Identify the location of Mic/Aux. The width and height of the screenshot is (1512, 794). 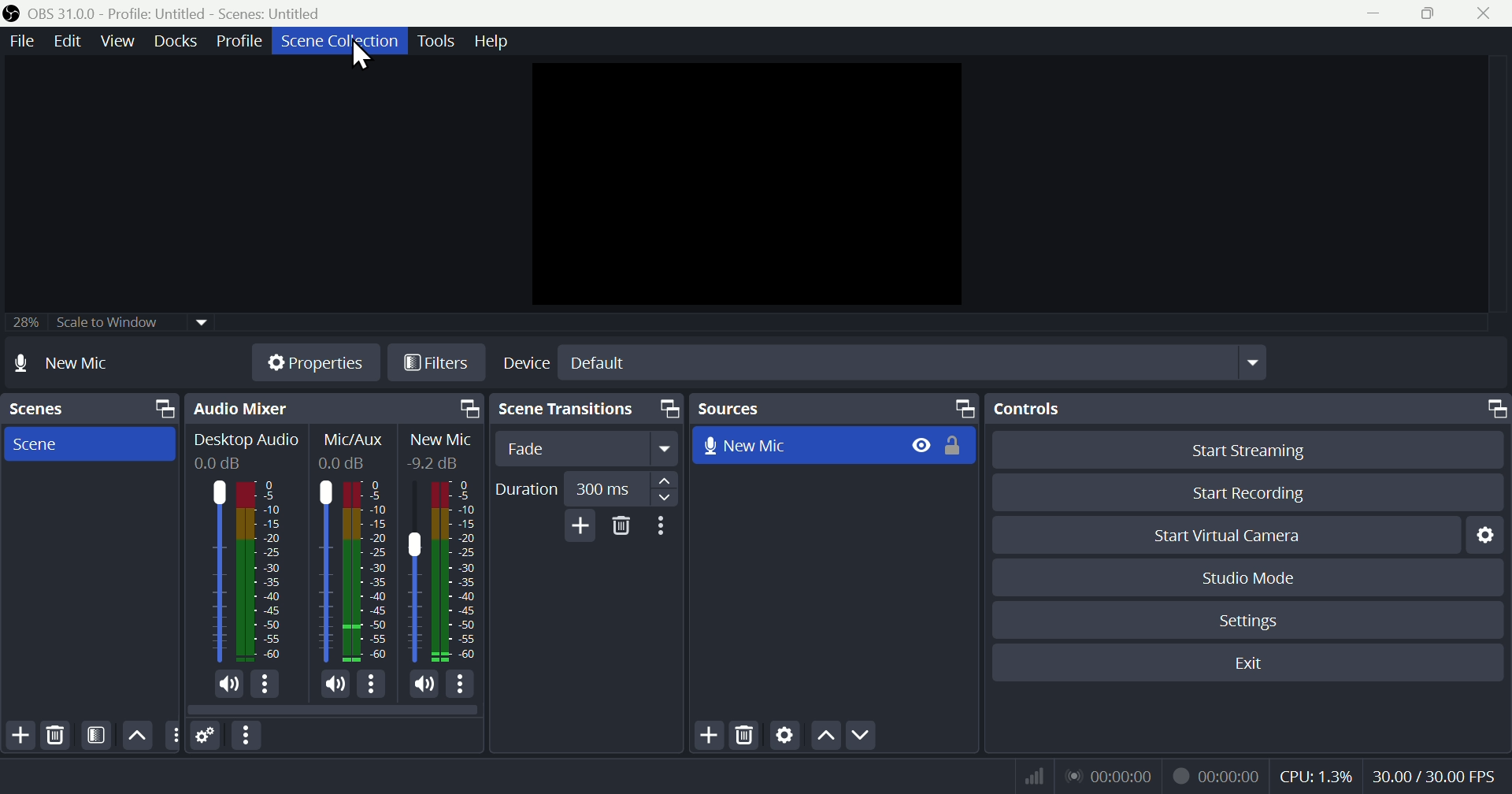
(367, 572).